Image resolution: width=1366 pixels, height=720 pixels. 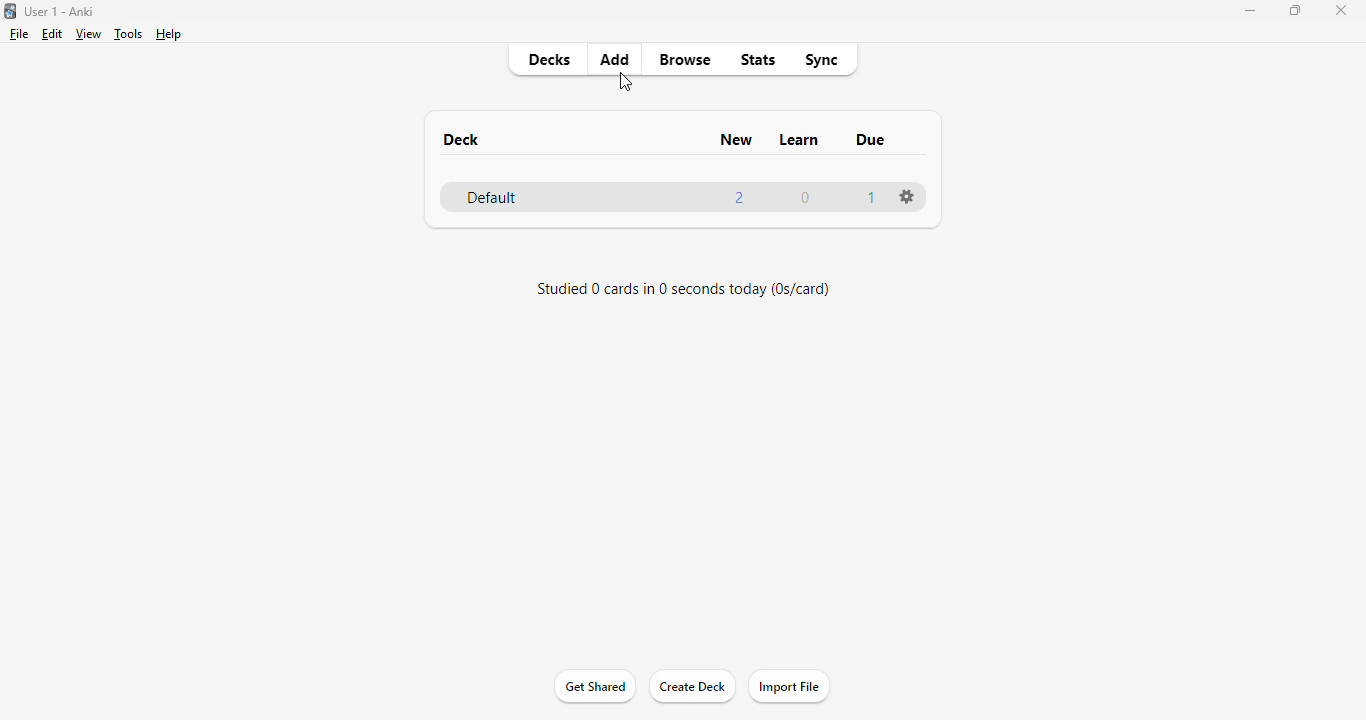 I want to click on browse, so click(x=685, y=60).